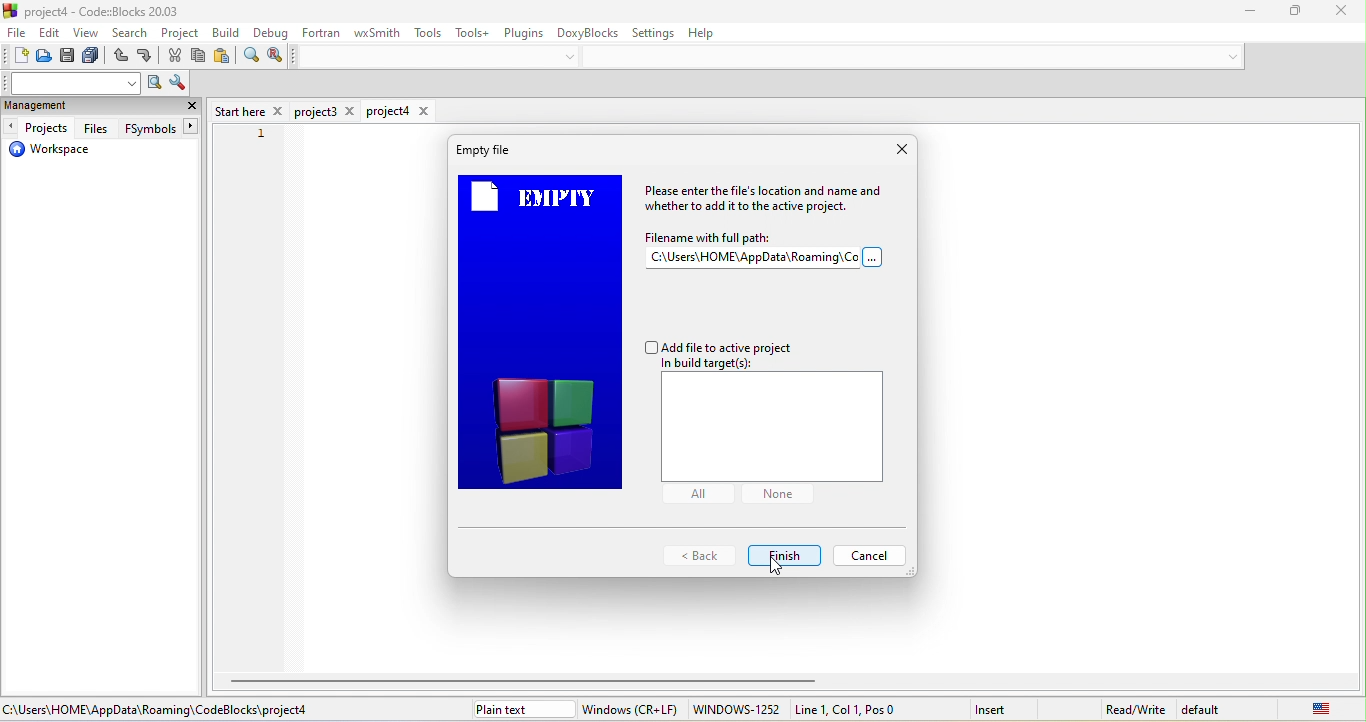 The height and width of the screenshot is (722, 1366). What do you see at coordinates (223, 58) in the screenshot?
I see `paste` at bounding box center [223, 58].